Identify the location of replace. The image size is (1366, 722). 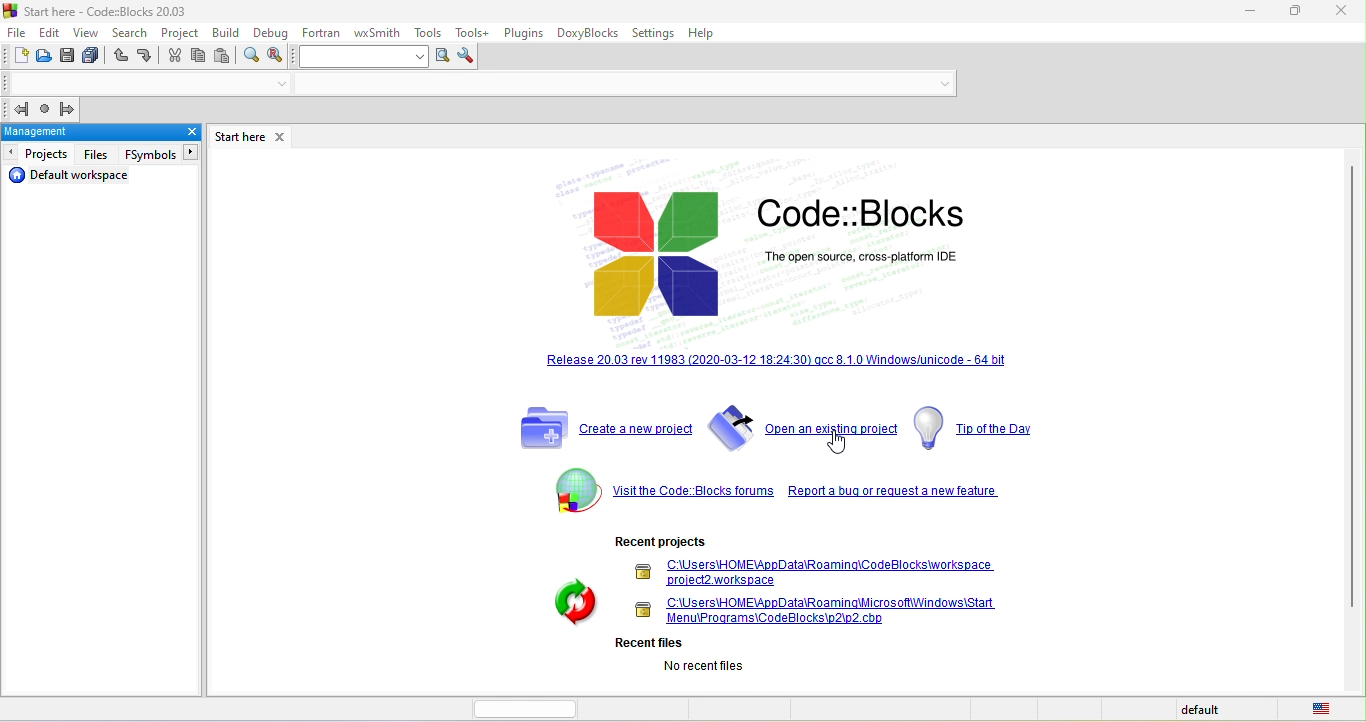
(280, 56).